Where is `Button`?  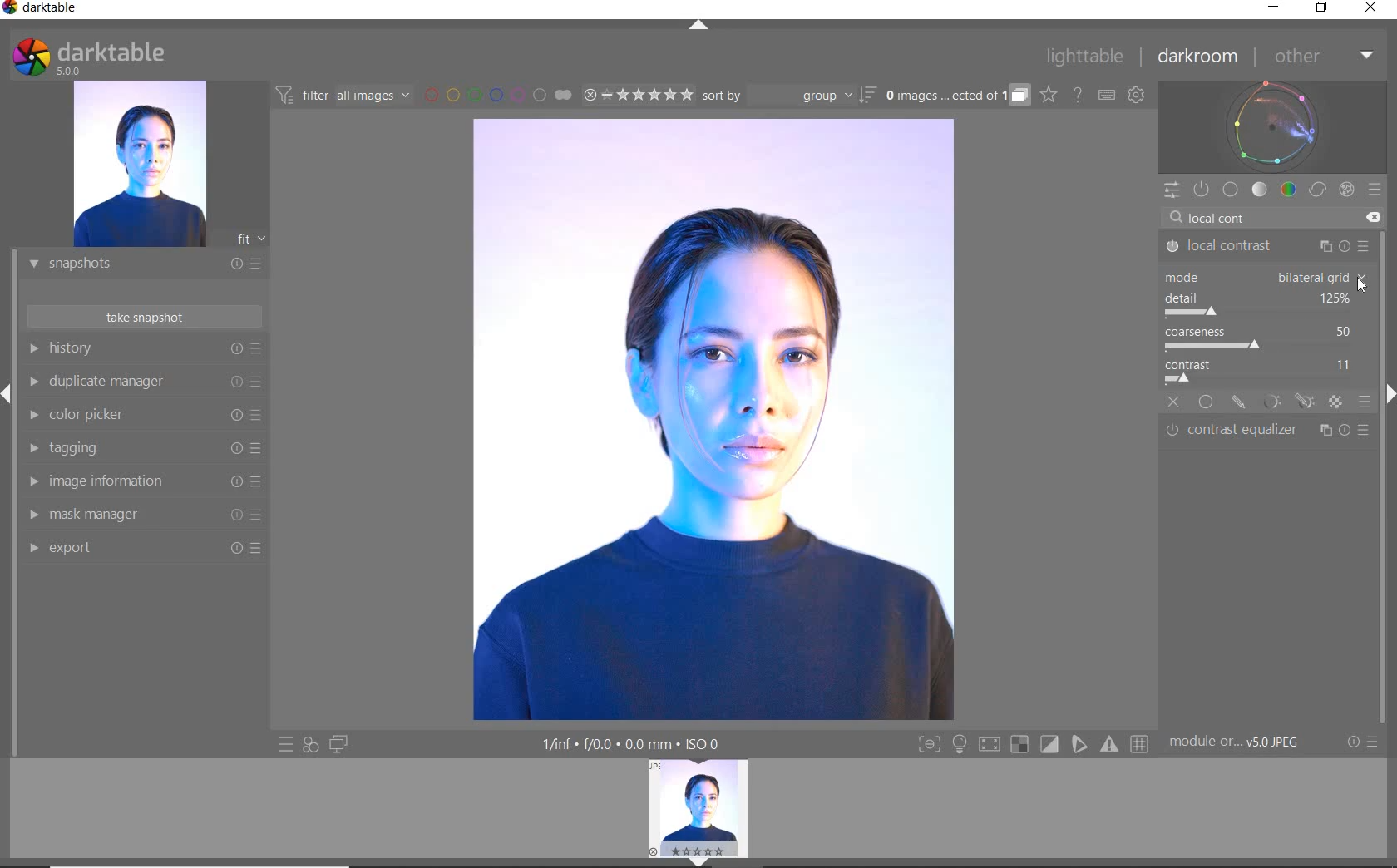 Button is located at coordinates (1111, 744).